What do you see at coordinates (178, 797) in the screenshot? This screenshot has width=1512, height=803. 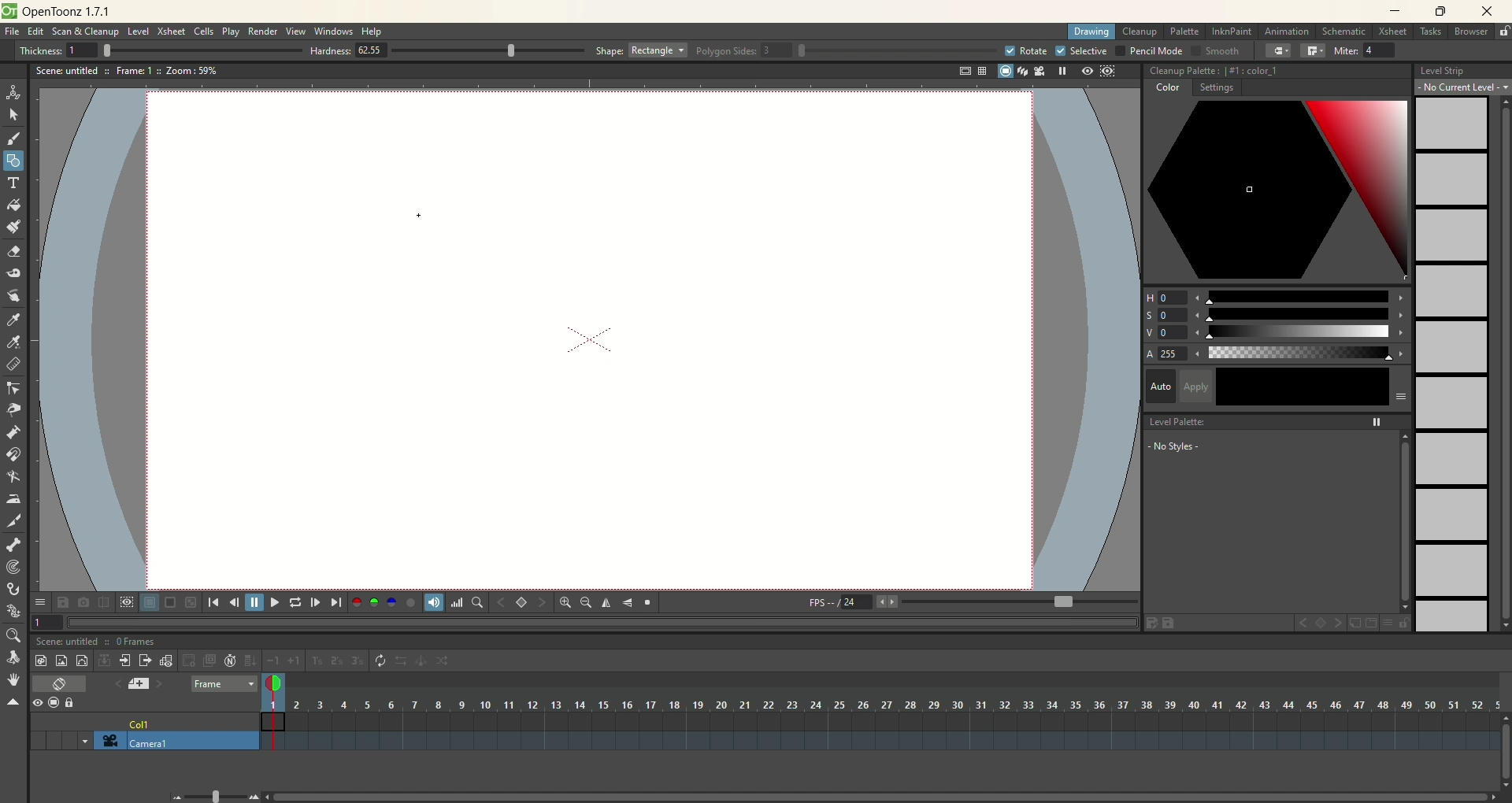 I see `zoom out` at bounding box center [178, 797].